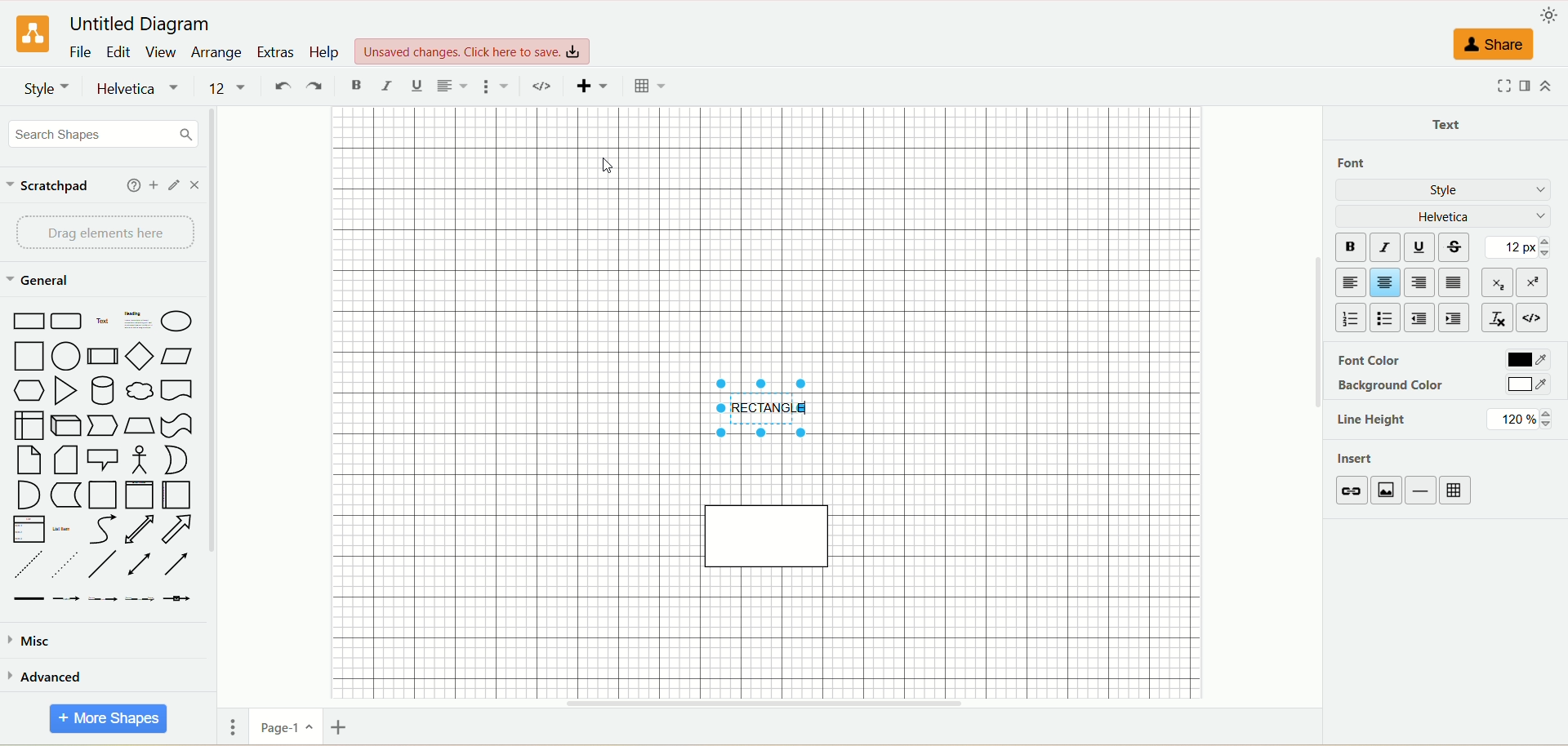 The width and height of the screenshot is (1568, 746). Describe the element at coordinates (1536, 279) in the screenshot. I see `superscript` at that location.